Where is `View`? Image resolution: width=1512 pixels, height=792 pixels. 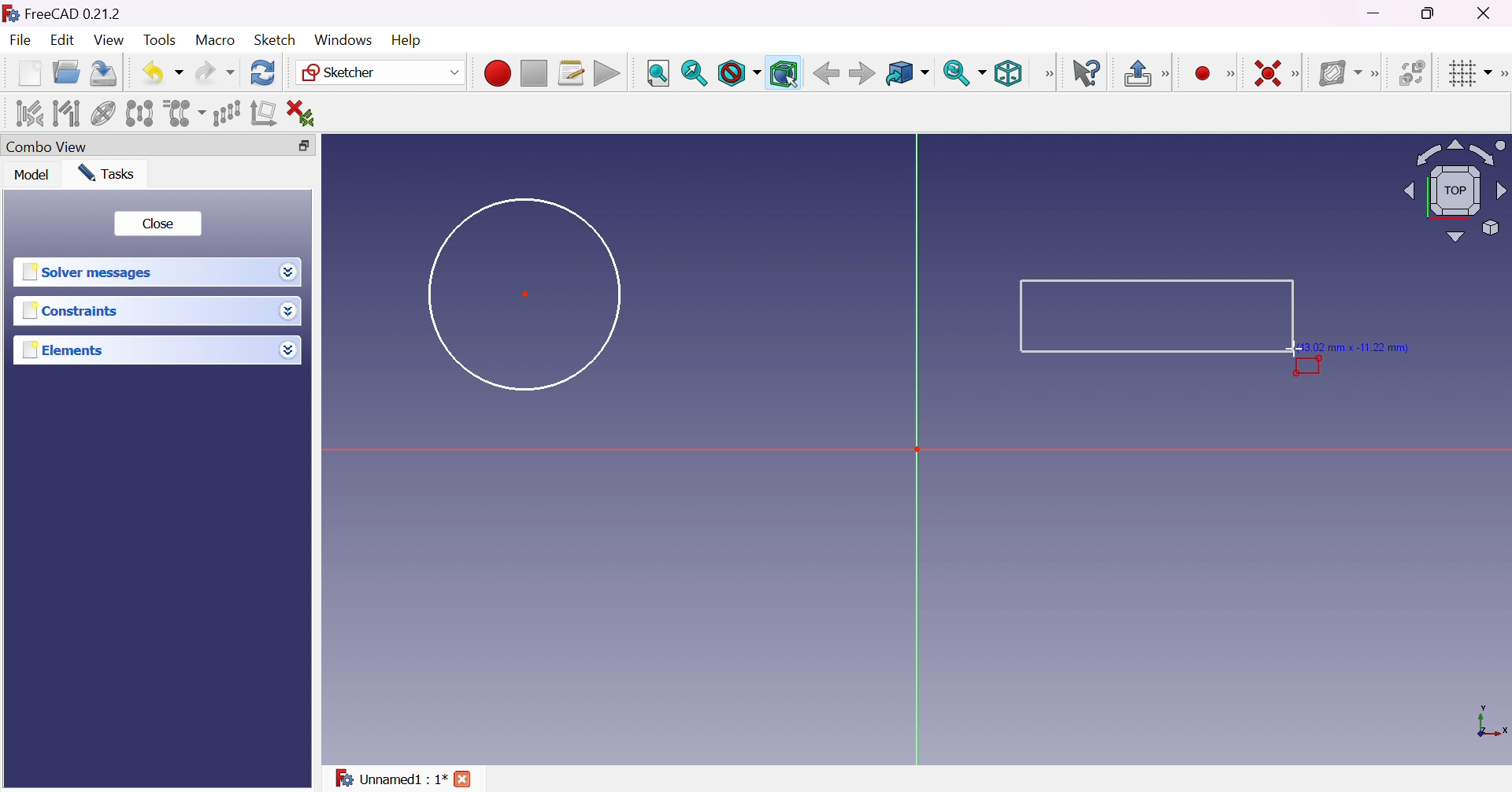 View is located at coordinates (1050, 73).